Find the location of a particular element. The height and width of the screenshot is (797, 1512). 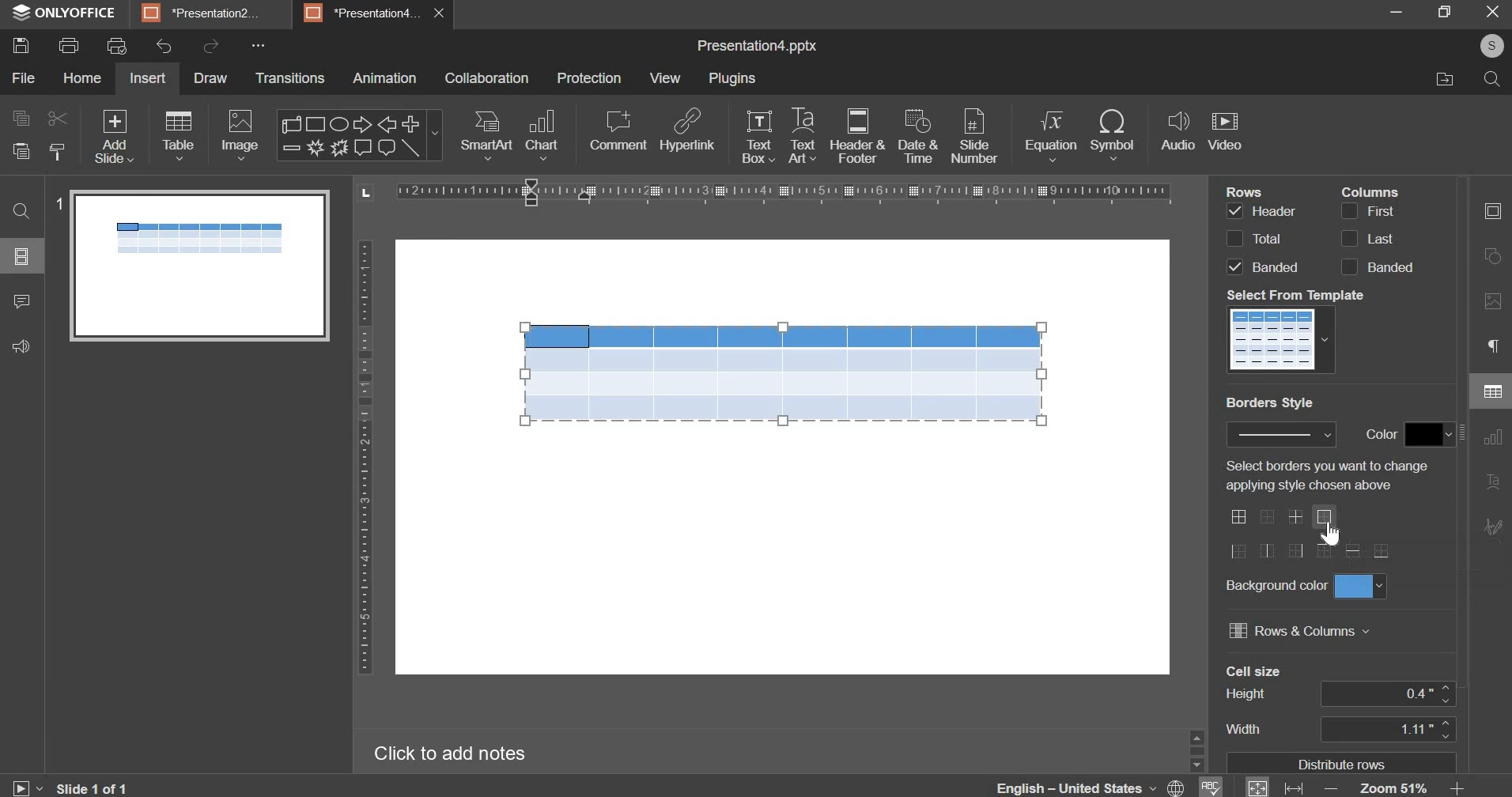

height is located at coordinates (1250, 694).